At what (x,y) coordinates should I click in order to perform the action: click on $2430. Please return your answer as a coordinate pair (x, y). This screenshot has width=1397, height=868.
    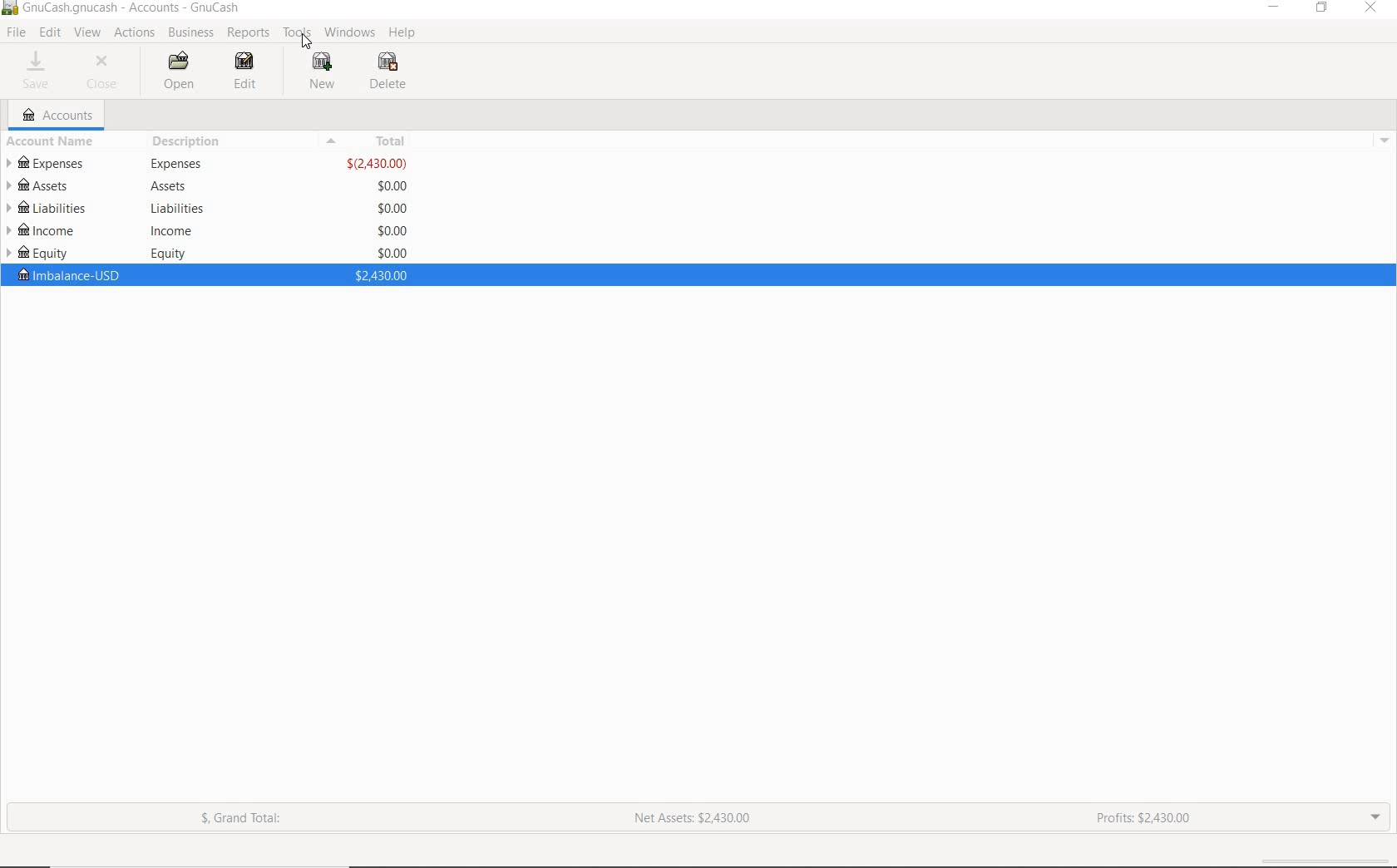
    Looking at the image, I should click on (380, 274).